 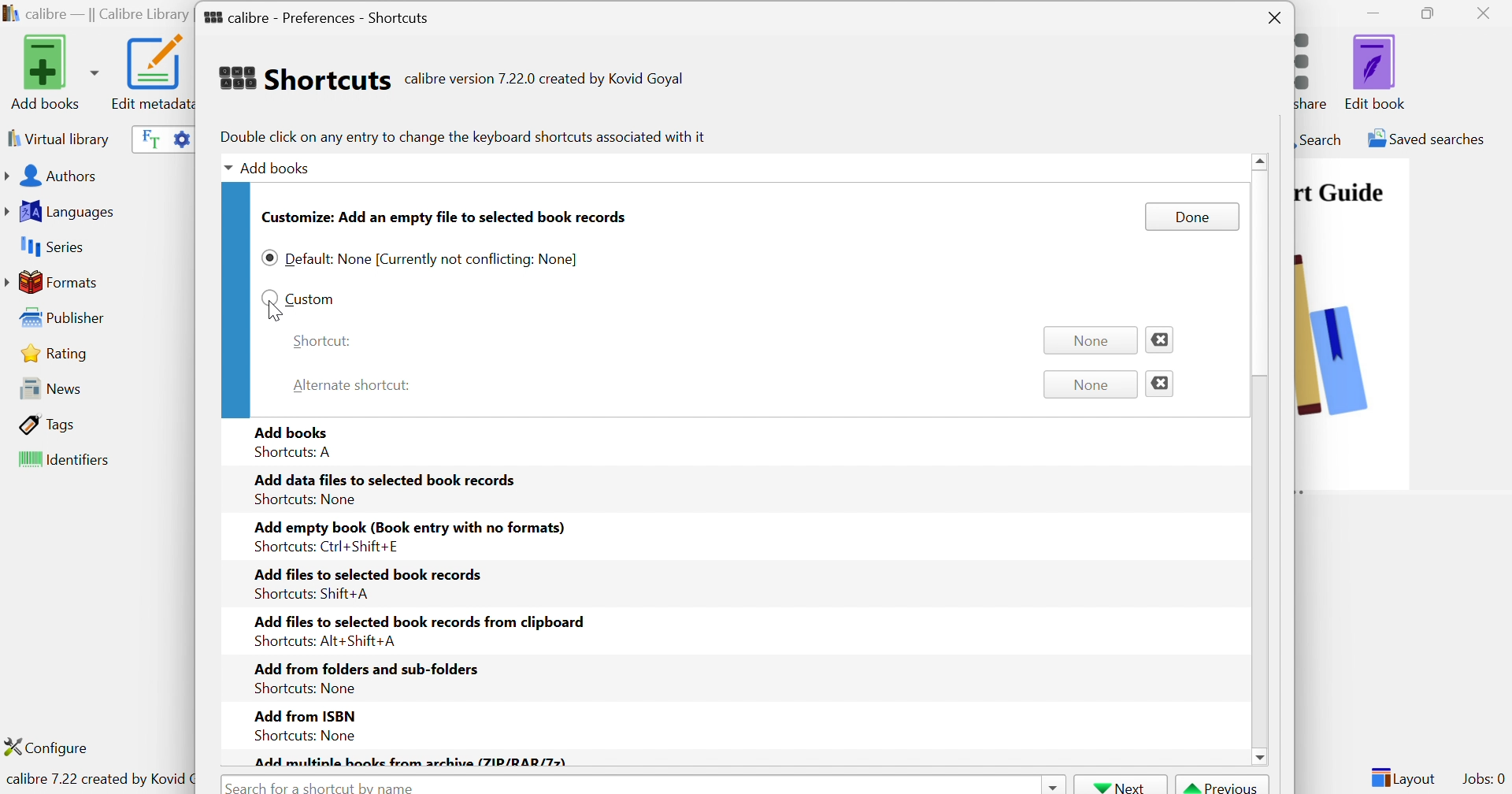 What do you see at coordinates (369, 573) in the screenshot?
I see `Add files to selected book records` at bounding box center [369, 573].